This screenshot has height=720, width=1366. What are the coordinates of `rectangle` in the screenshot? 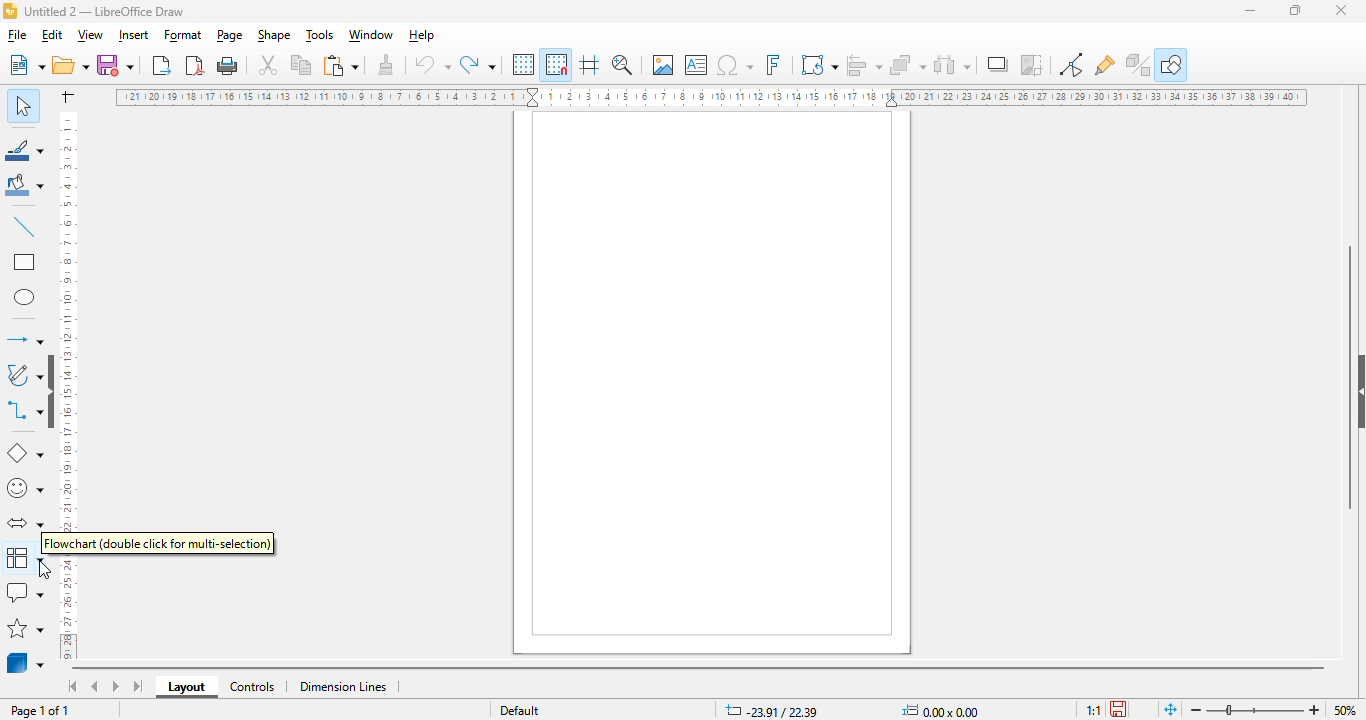 It's located at (26, 263).